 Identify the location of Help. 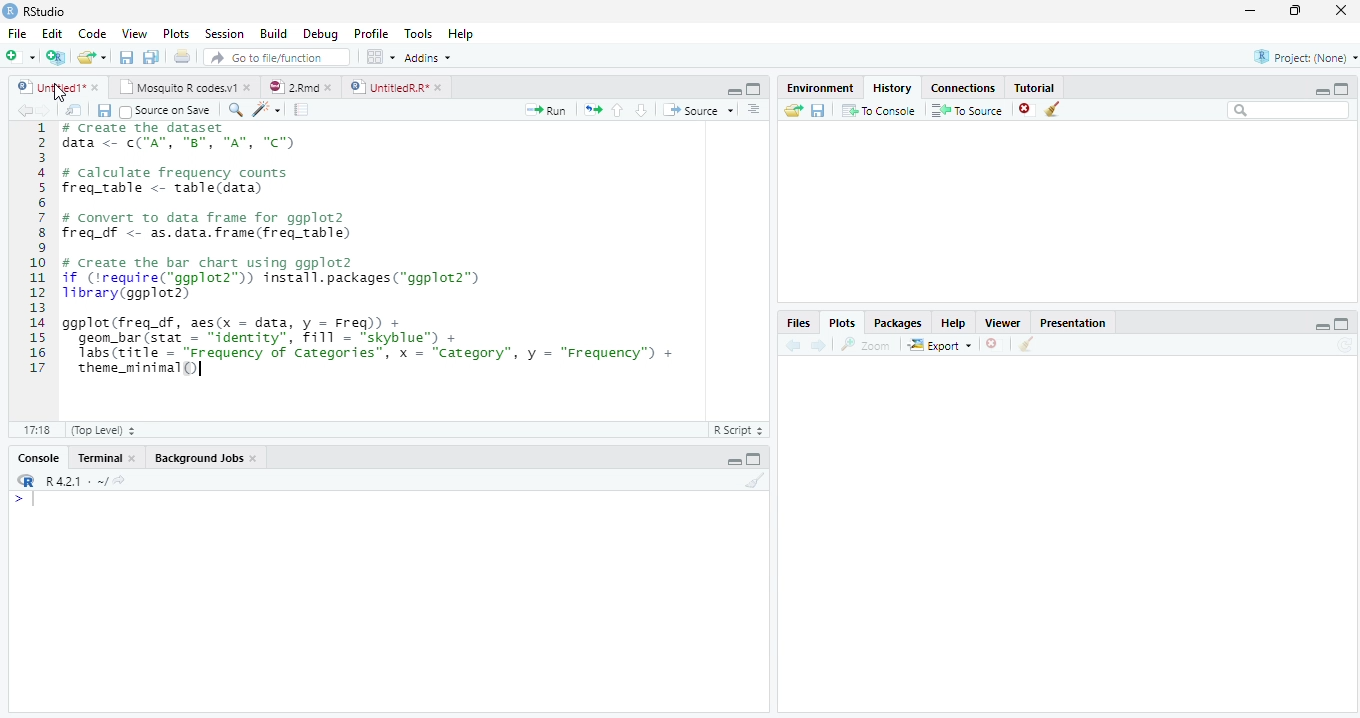
(462, 33).